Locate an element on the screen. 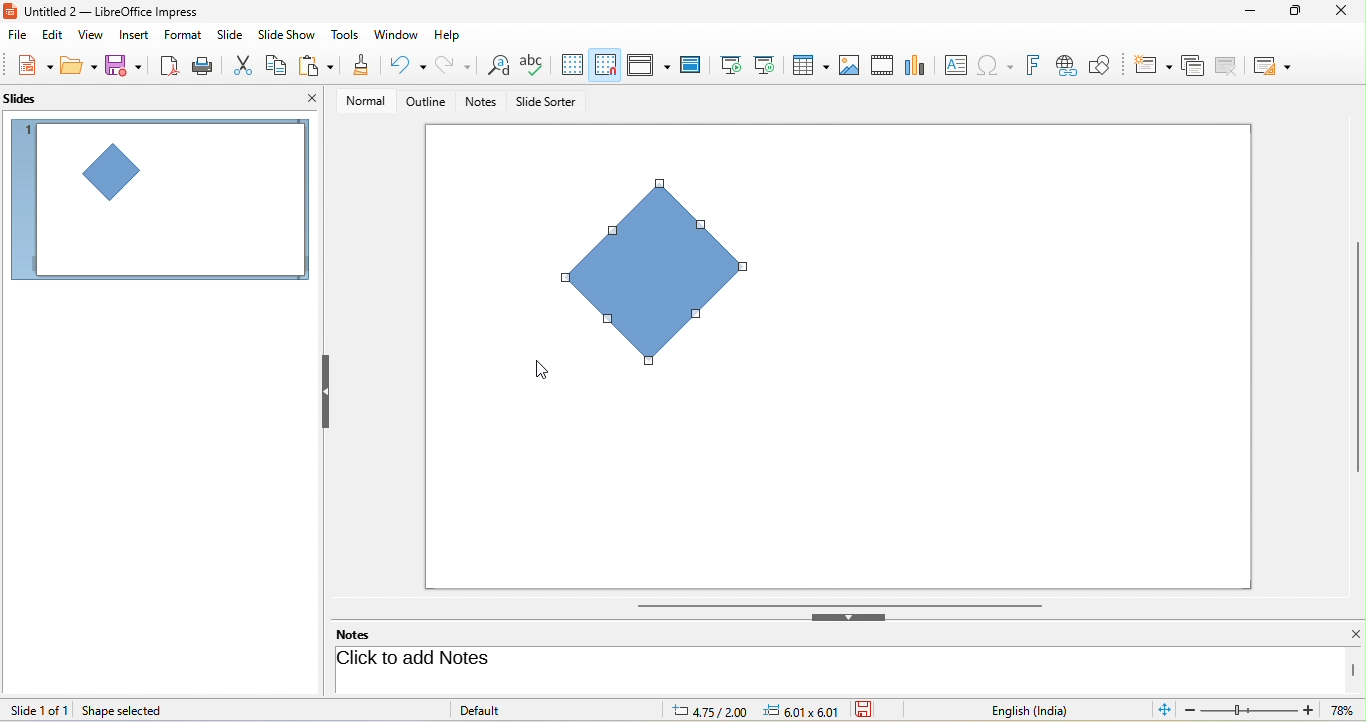 The width and height of the screenshot is (1366, 722). shape selected is located at coordinates (129, 711).